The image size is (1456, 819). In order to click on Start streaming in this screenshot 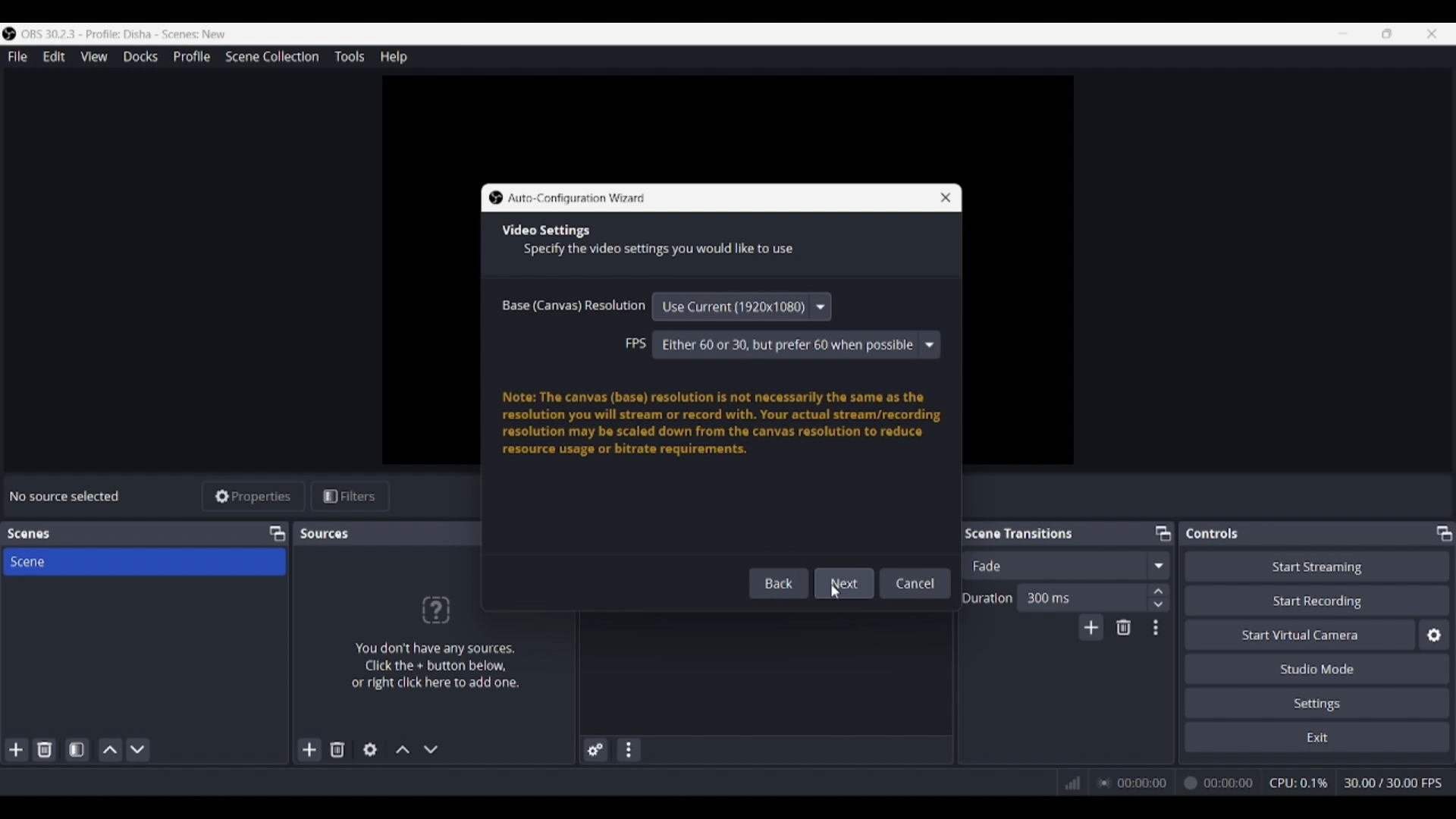, I will do `click(1318, 566)`.